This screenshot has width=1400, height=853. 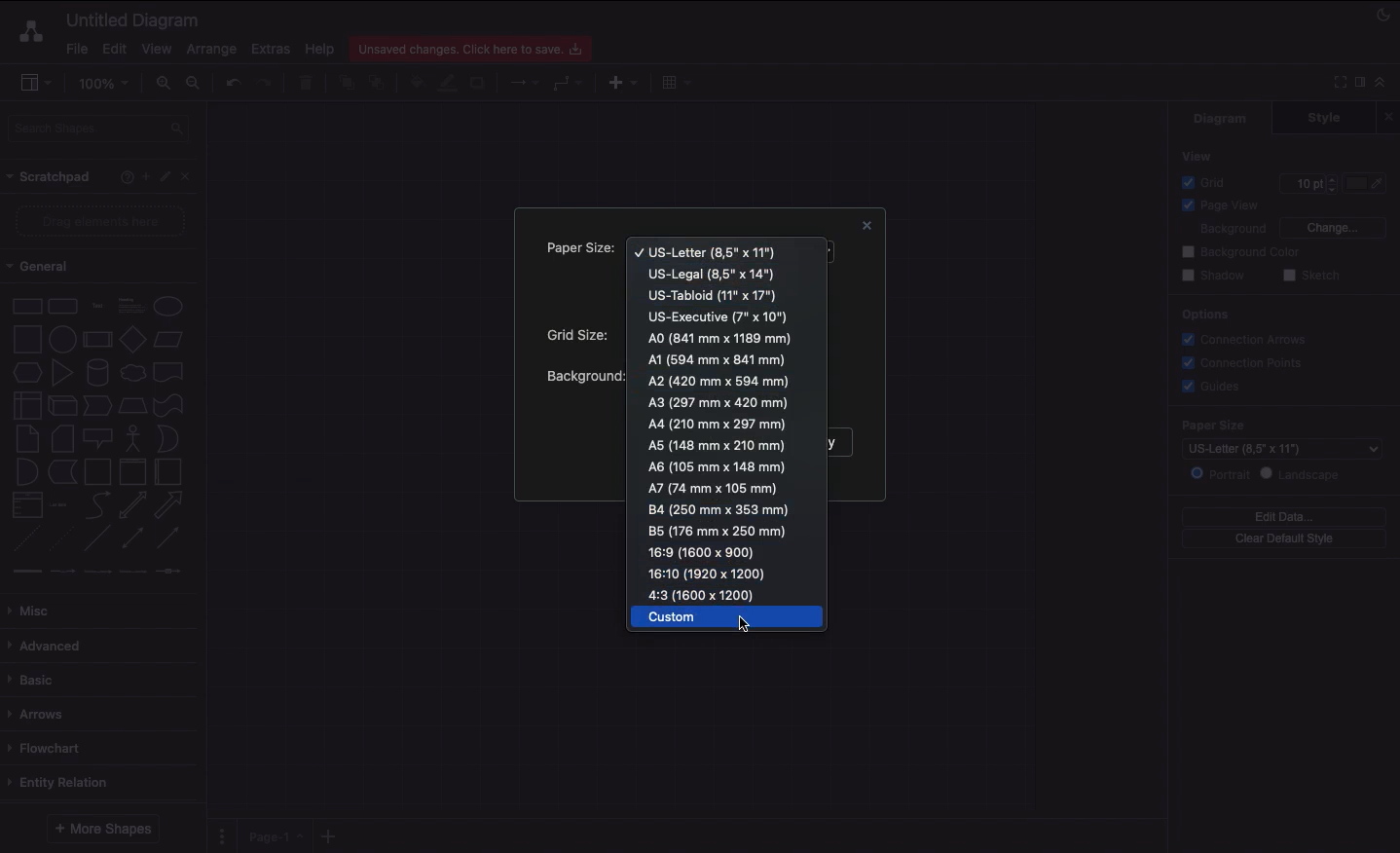 I want to click on Cloud, so click(x=131, y=373).